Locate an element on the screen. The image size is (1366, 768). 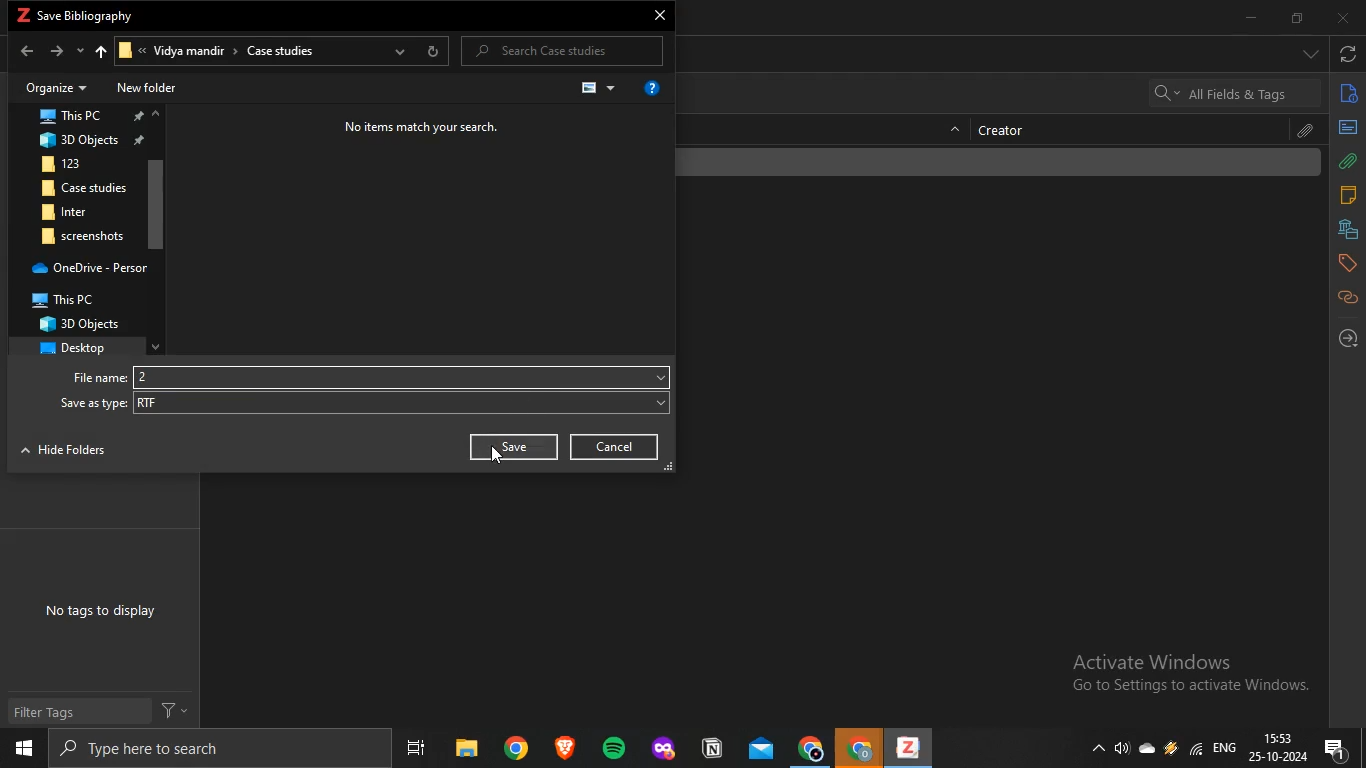
notification is located at coordinates (1337, 748).